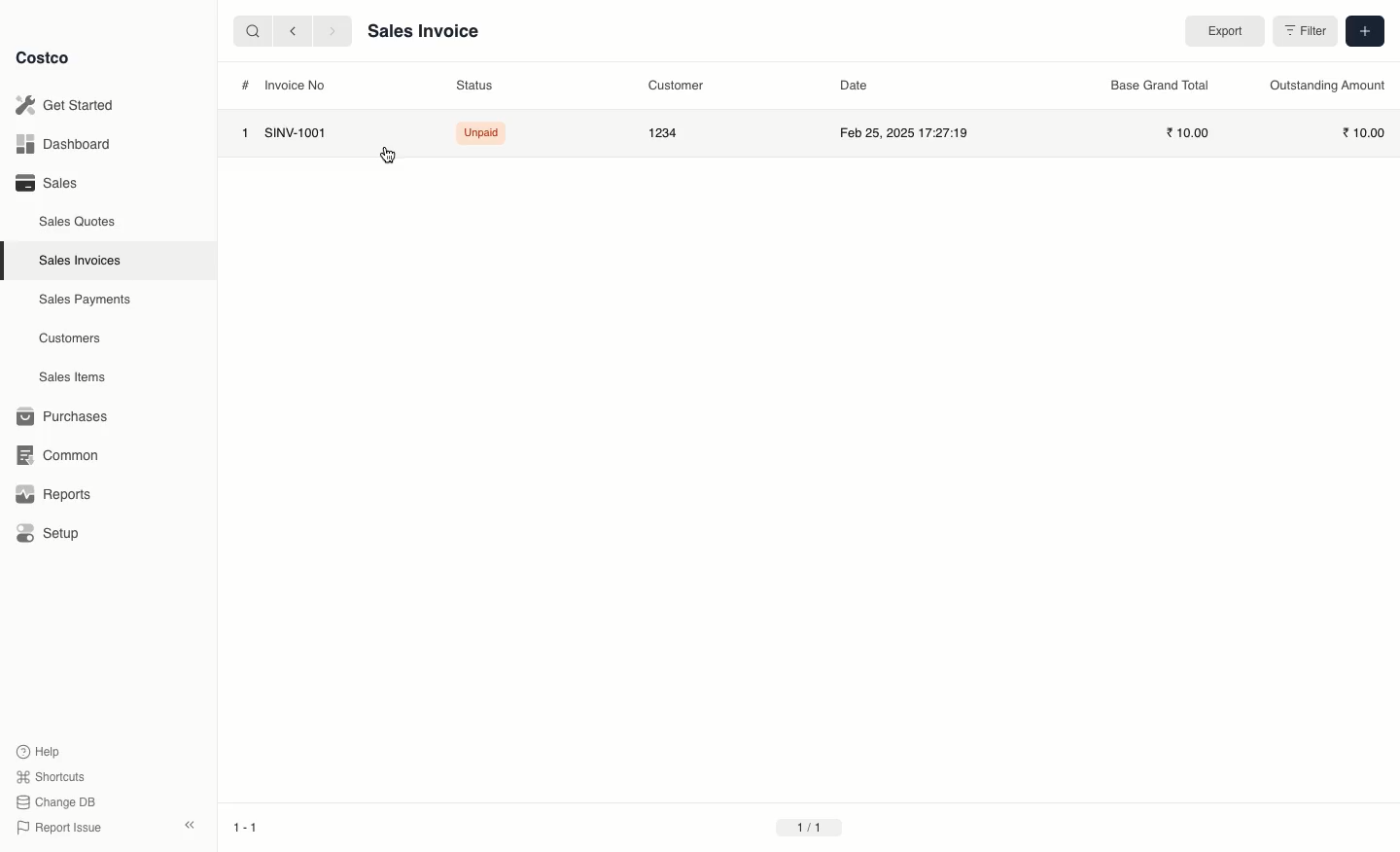 The image size is (1400, 852). What do you see at coordinates (48, 184) in the screenshot?
I see `Sales` at bounding box center [48, 184].